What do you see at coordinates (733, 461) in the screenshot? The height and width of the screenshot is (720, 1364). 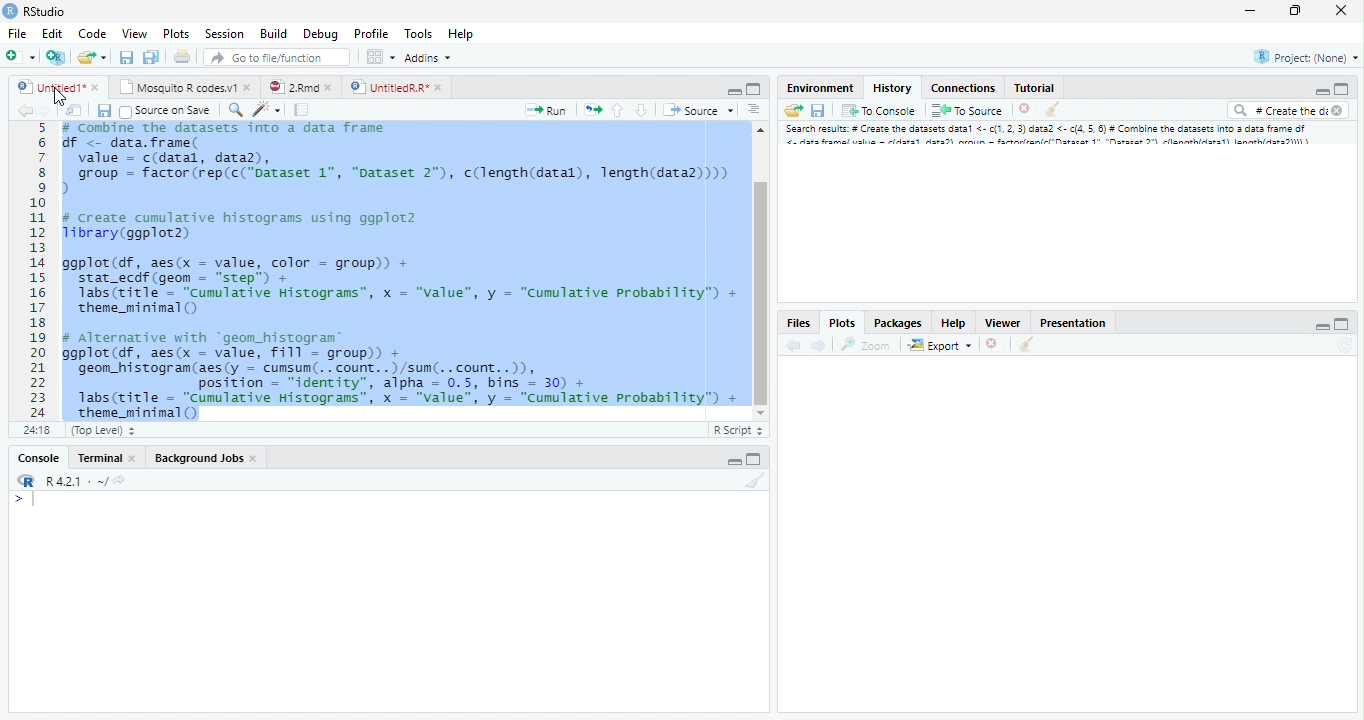 I see `Minimize` at bounding box center [733, 461].